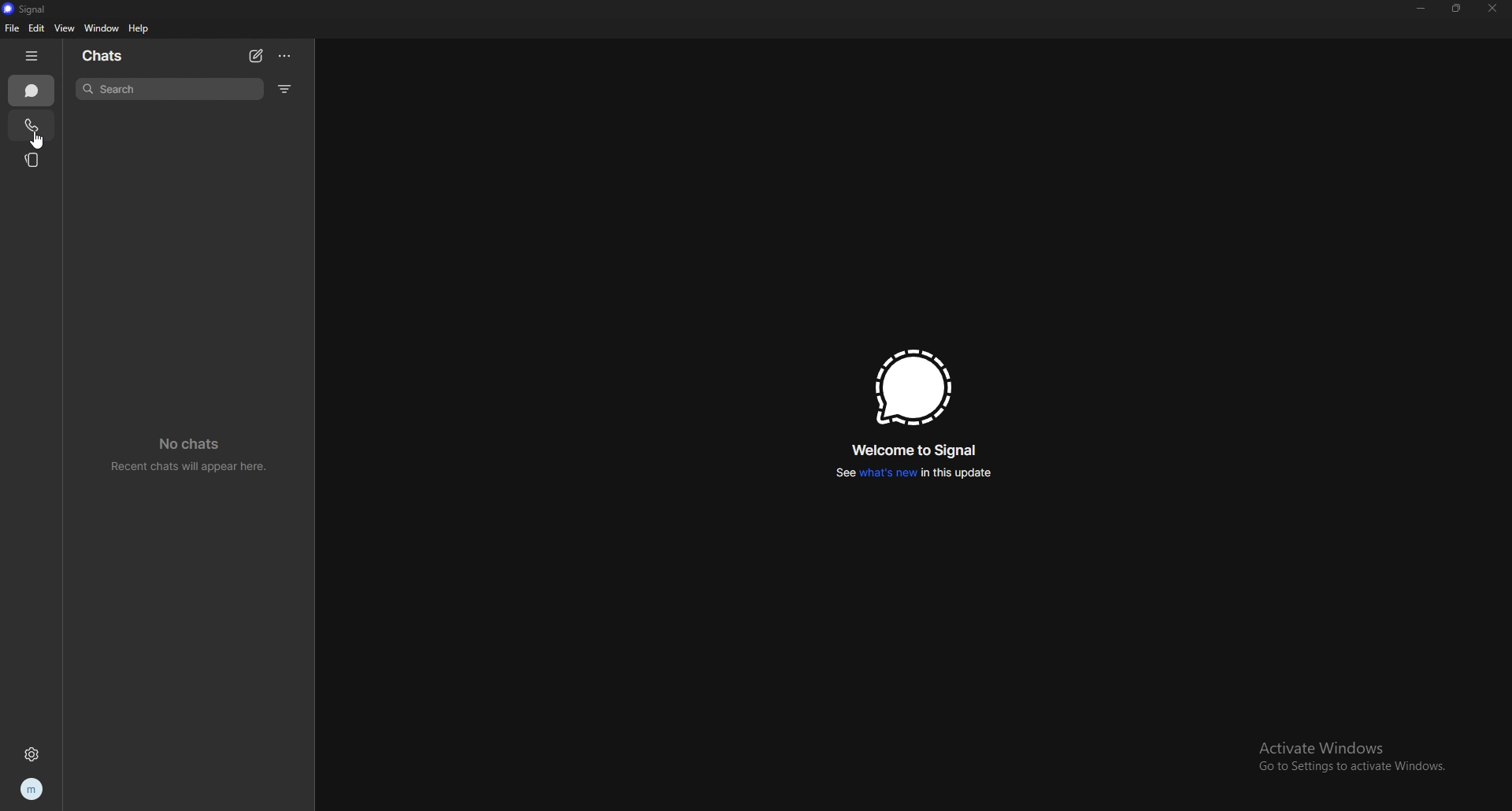  What do you see at coordinates (914, 473) in the screenshot?
I see `see whats new in this update` at bounding box center [914, 473].